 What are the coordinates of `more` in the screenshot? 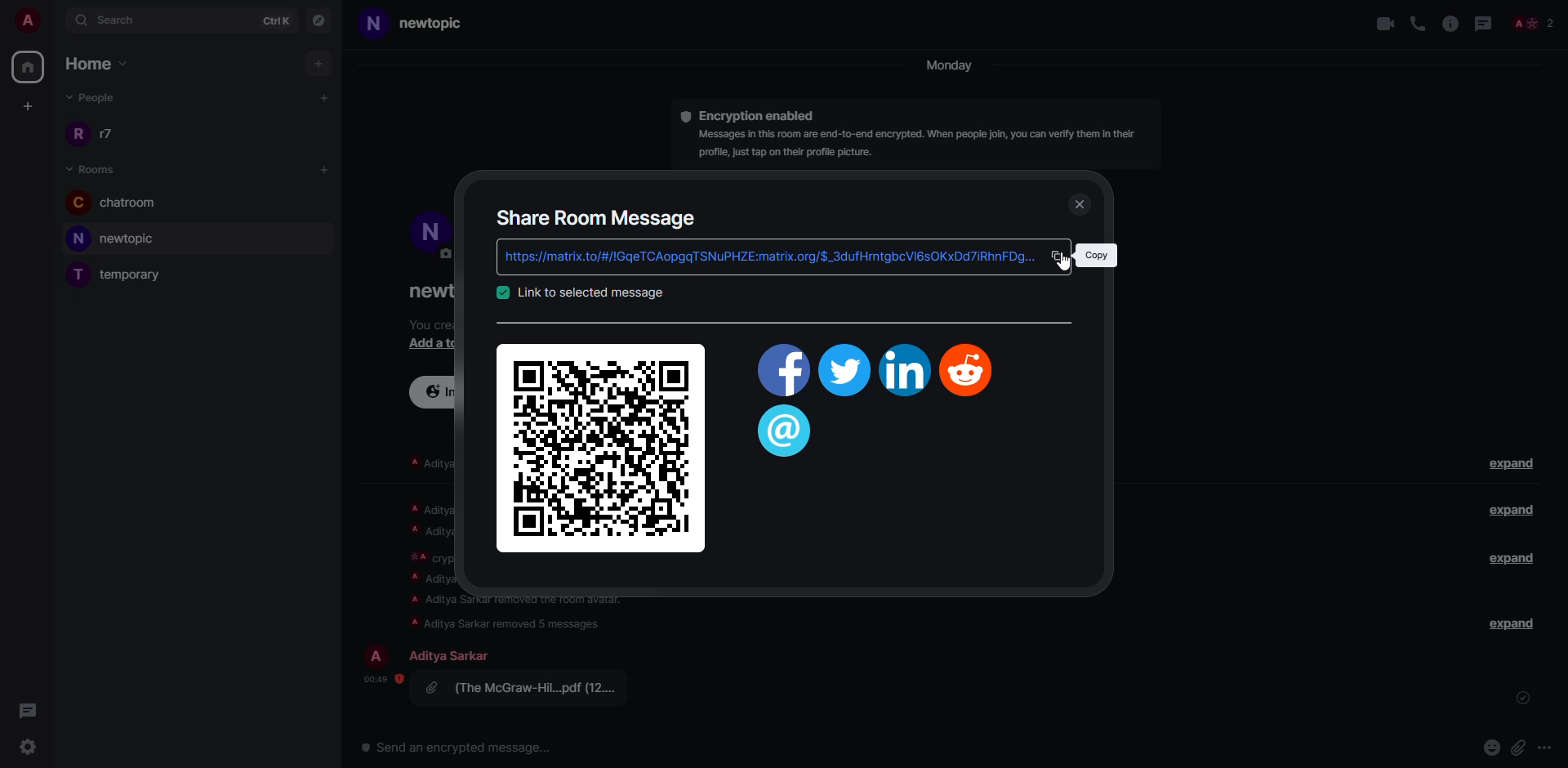 It's located at (1543, 747).